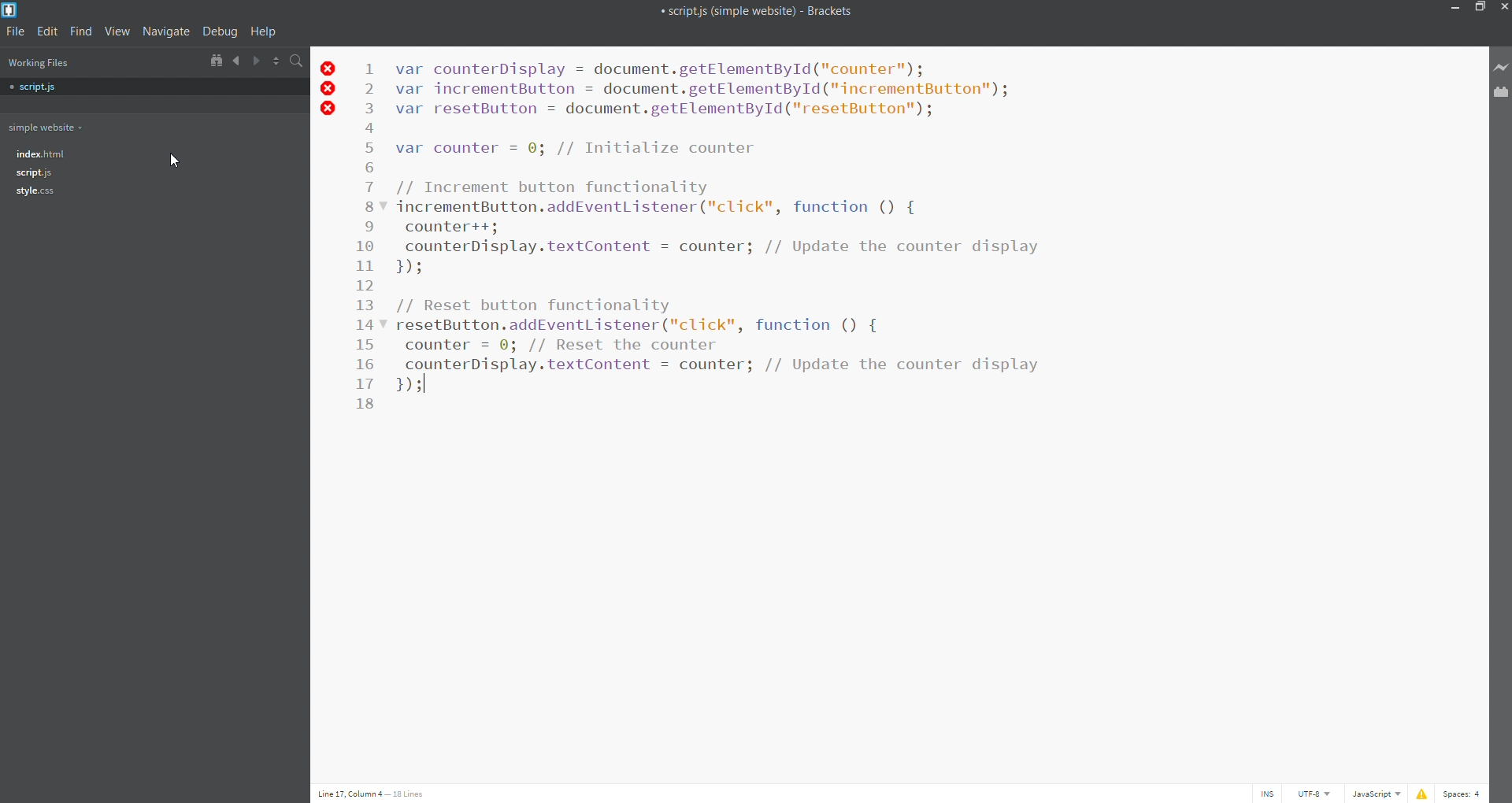  What do you see at coordinates (12, 11) in the screenshot?
I see `brackets` at bounding box center [12, 11].